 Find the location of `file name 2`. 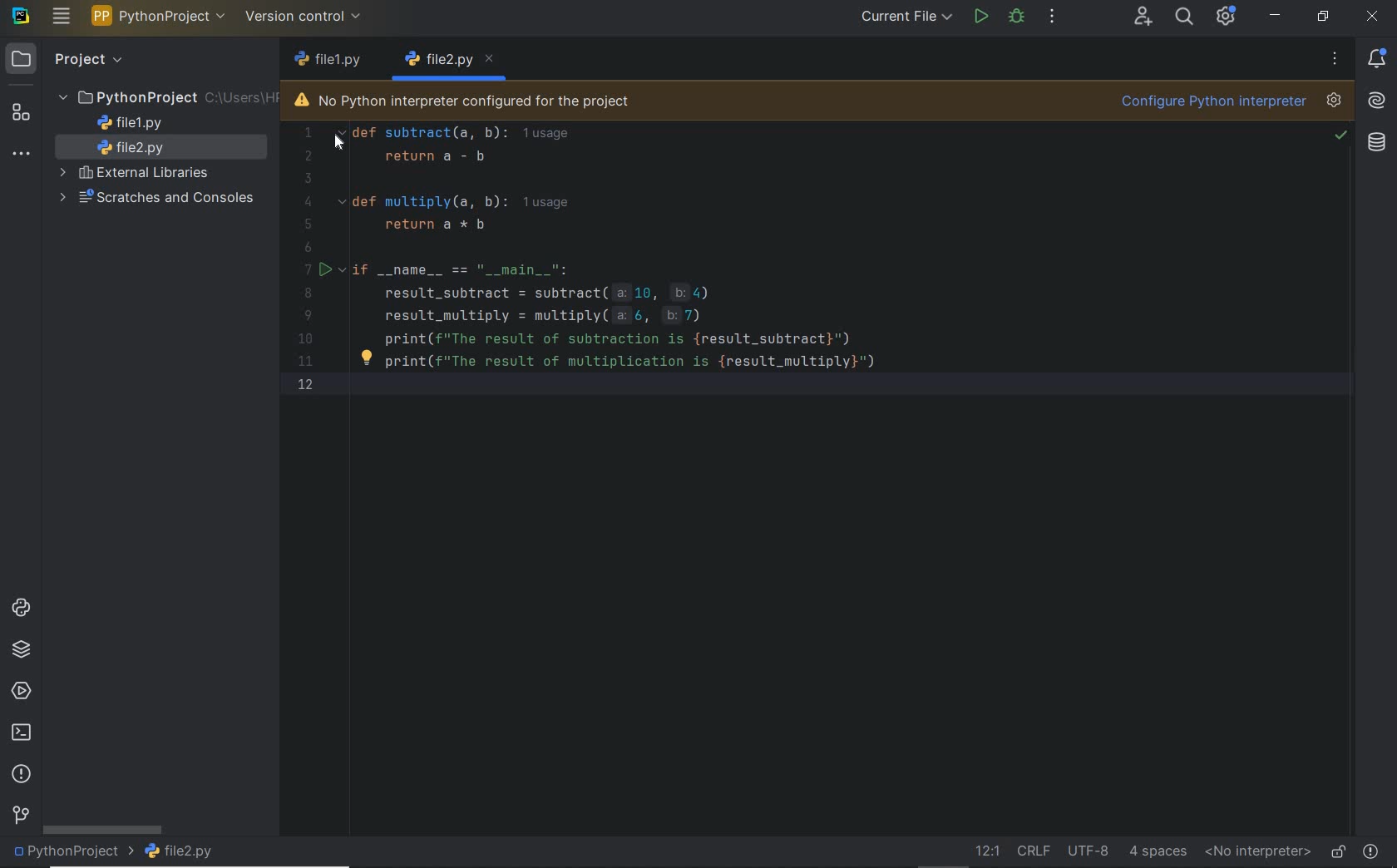

file name 2 is located at coordinates (137, 149).